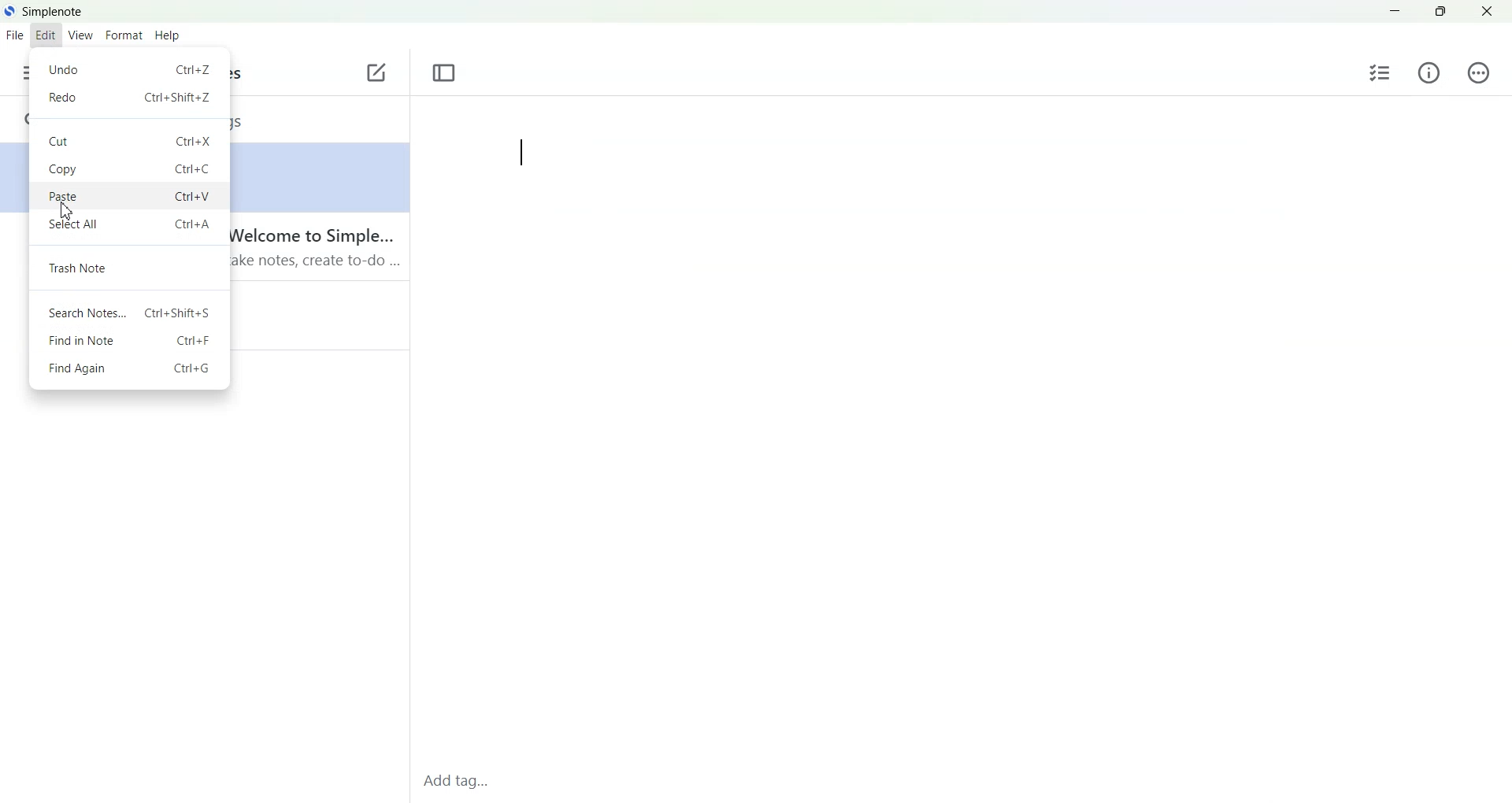 Image resolution: width=1512 pixels, height=803 pixels. I want to click on Maximize, so click(1442, 12).